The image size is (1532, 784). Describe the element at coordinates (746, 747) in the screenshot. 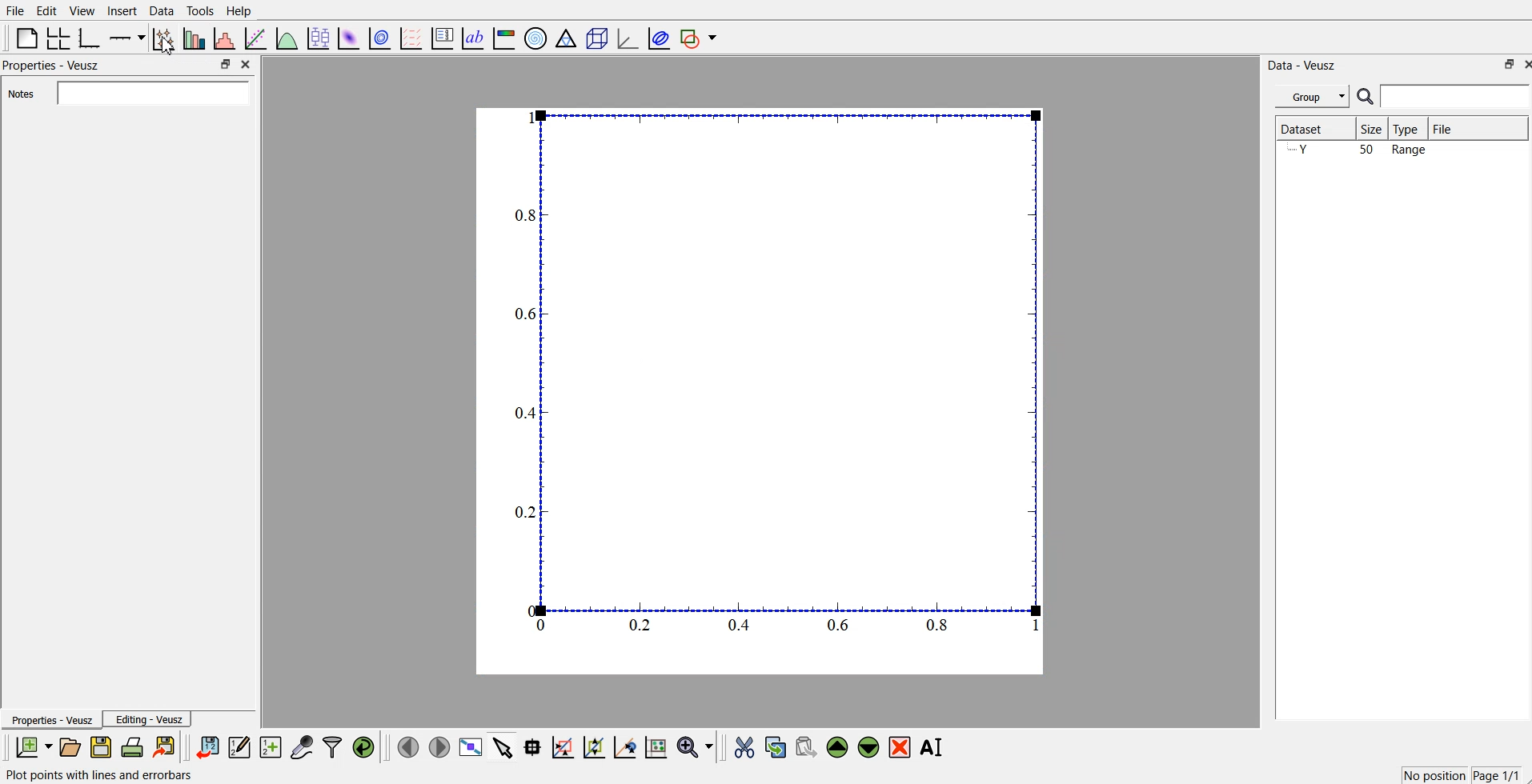

I see `cut the selected widgets` at that location.